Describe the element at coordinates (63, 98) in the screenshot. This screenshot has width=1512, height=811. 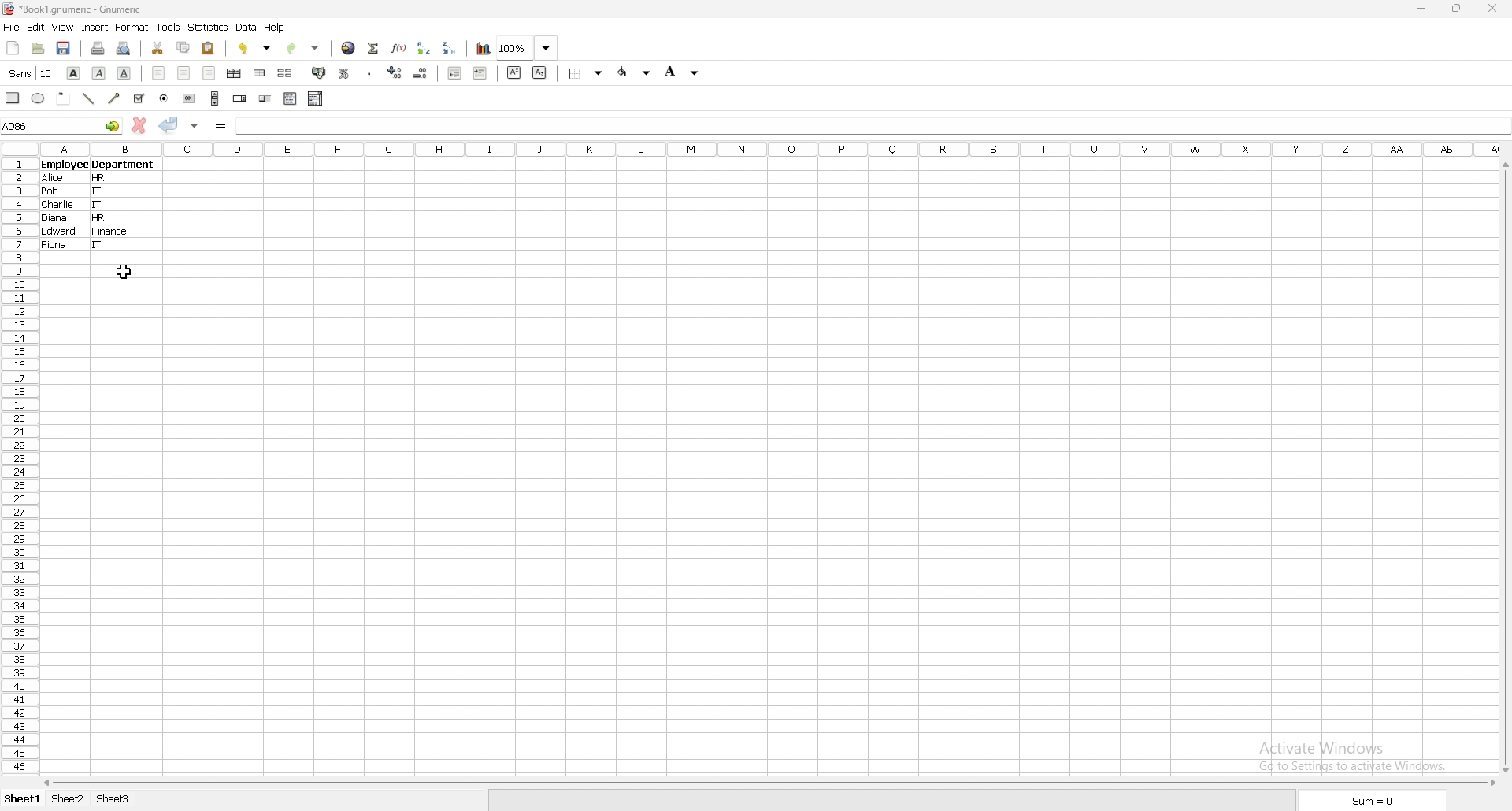
I see `frame` at that location.